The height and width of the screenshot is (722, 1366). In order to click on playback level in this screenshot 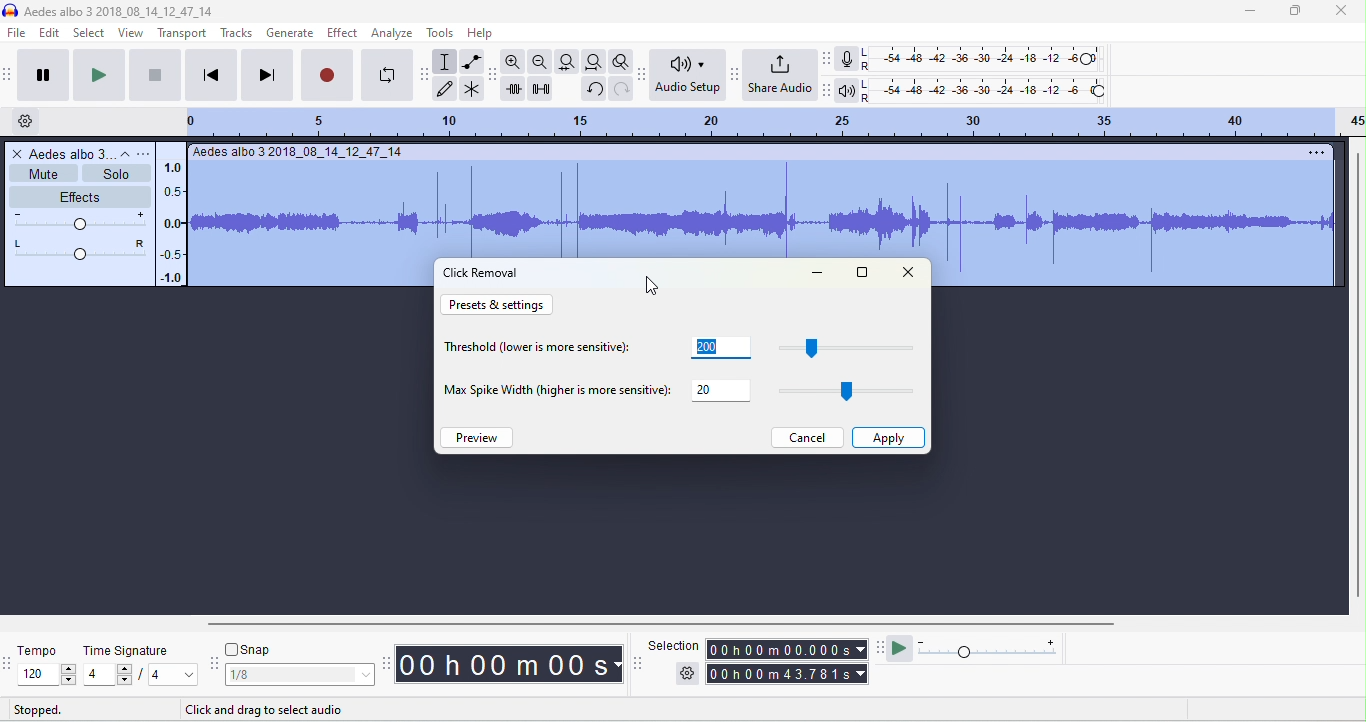, I will do `click(994, 89)`.